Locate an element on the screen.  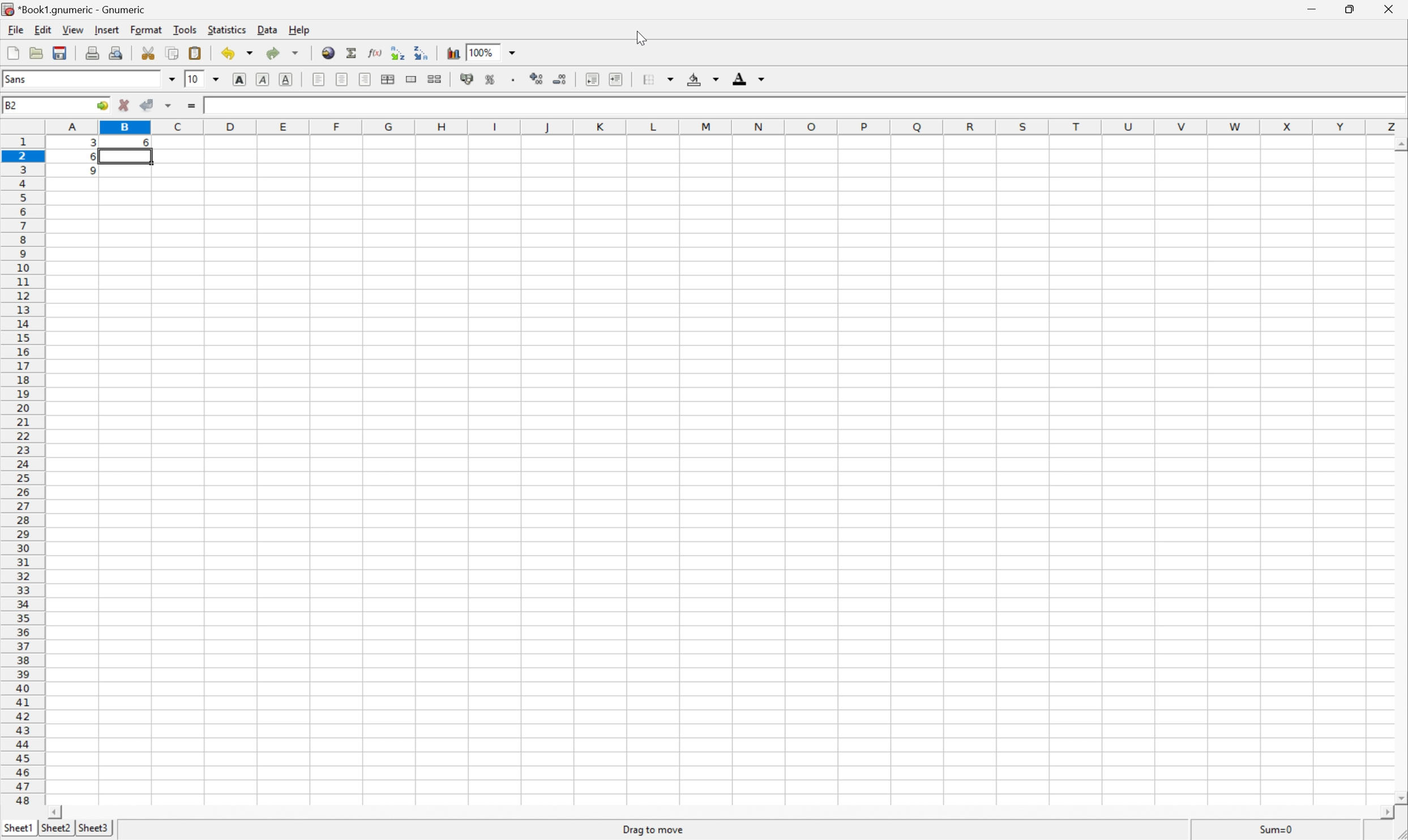
Undo is located at coordinates (238, 52).